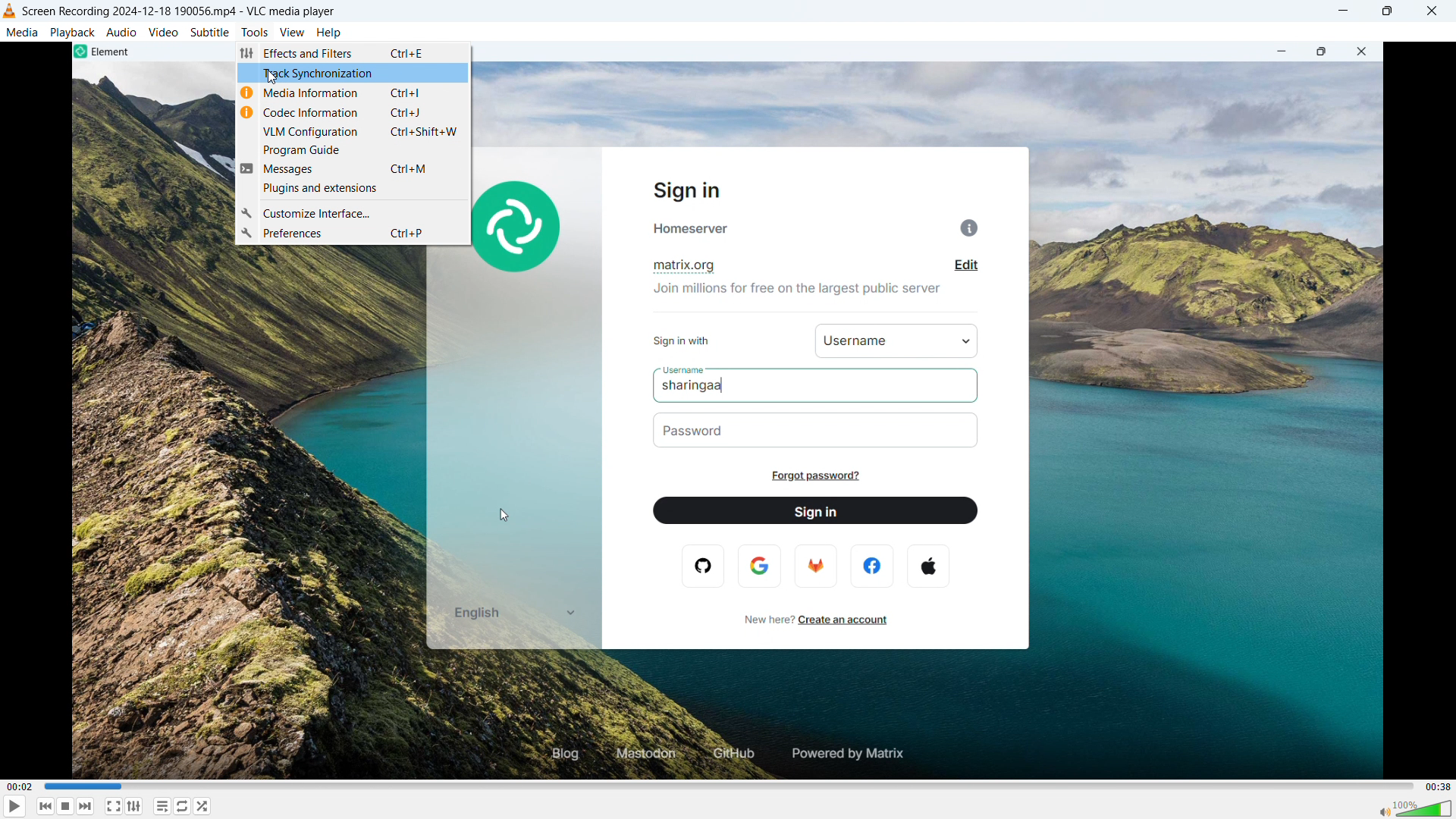 The image size is (1456, 819). I want to click on edit, so click(967, 265).